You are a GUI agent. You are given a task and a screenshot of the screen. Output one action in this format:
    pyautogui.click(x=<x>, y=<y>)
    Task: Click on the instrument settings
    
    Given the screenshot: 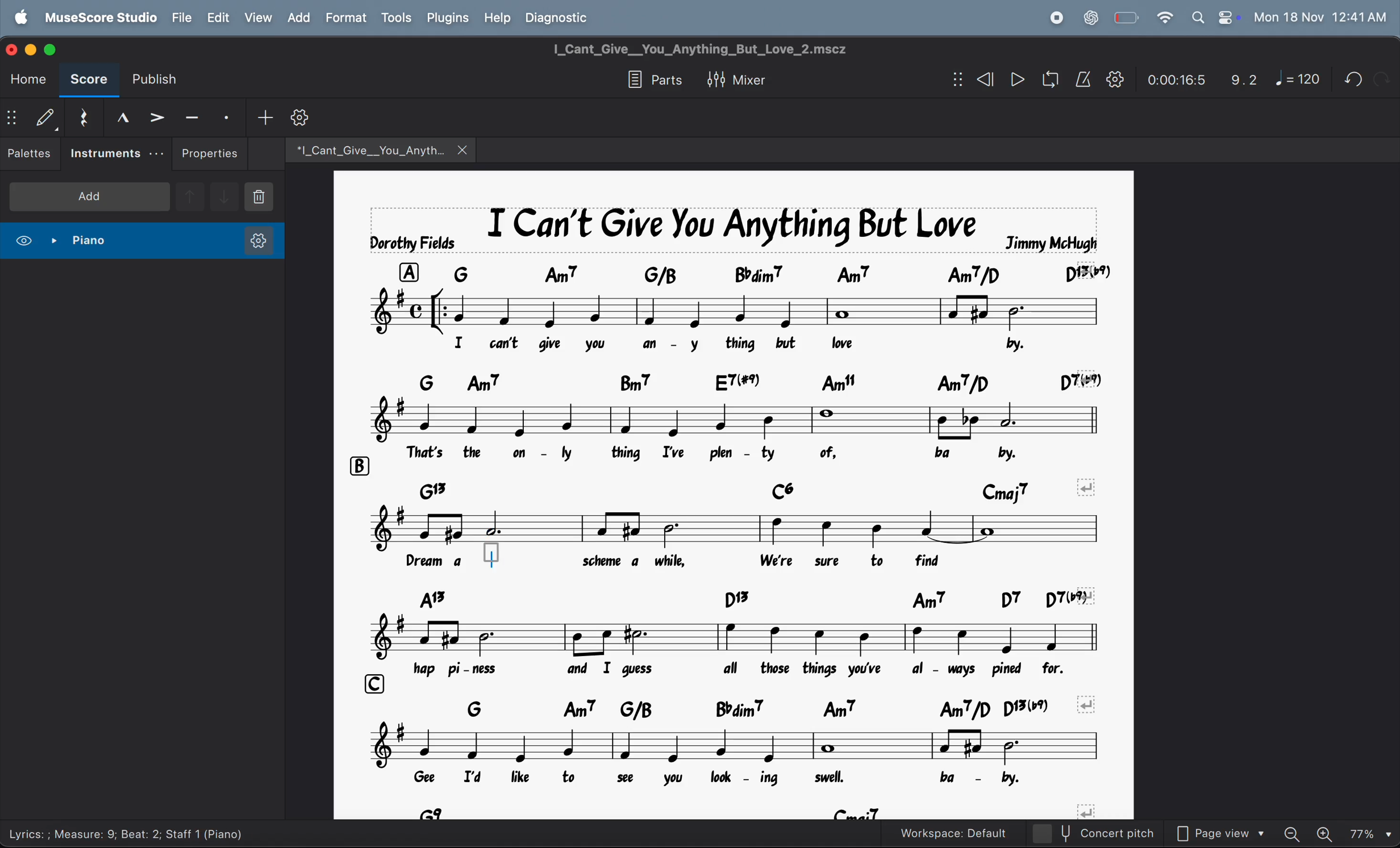 What is the action you would take?
    pyautogui.click(x=251, y=240)
    